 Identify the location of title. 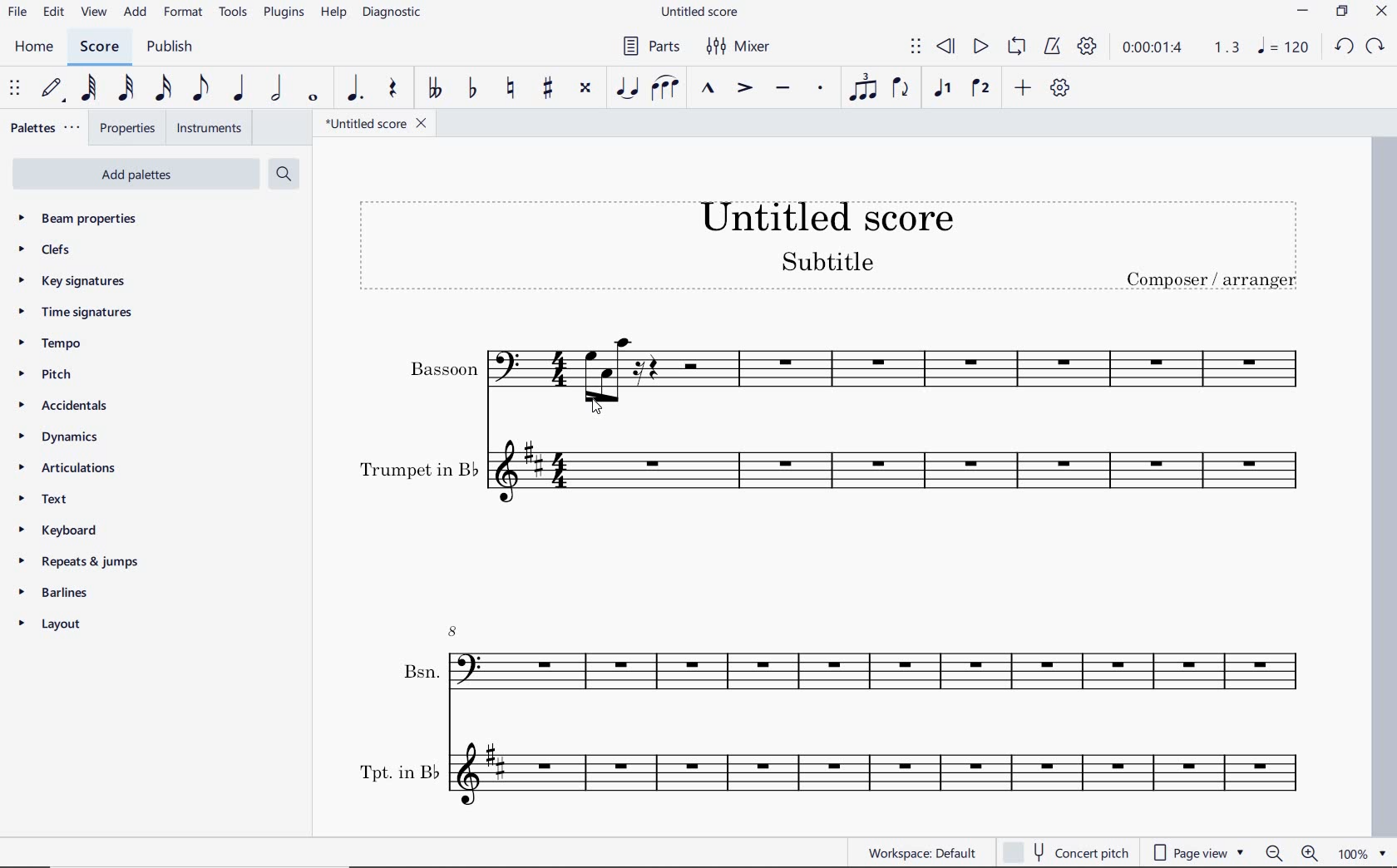
(835, 243).